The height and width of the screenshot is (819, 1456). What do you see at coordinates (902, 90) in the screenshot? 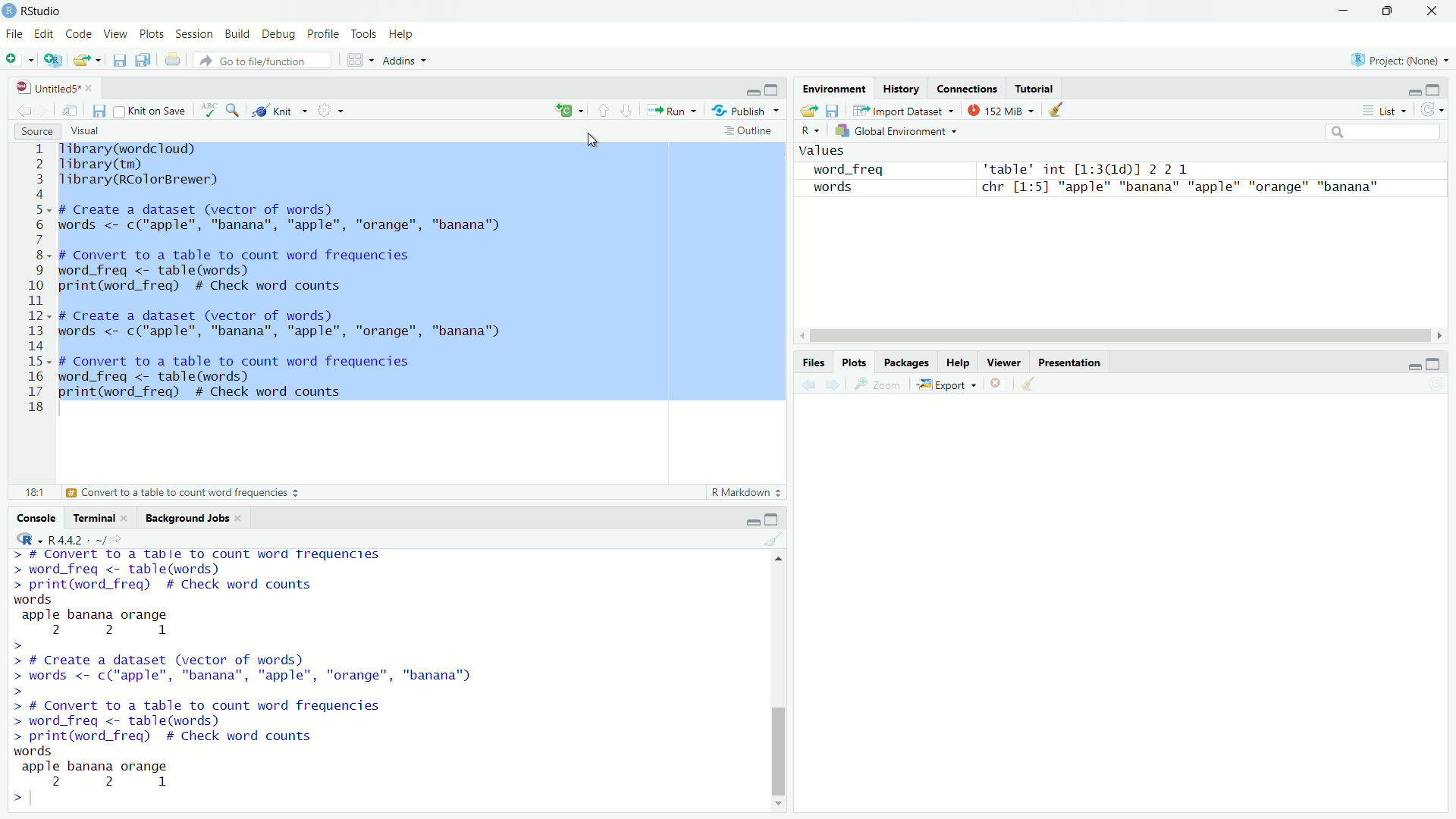
I see `History` at bounding box center [902, 90].